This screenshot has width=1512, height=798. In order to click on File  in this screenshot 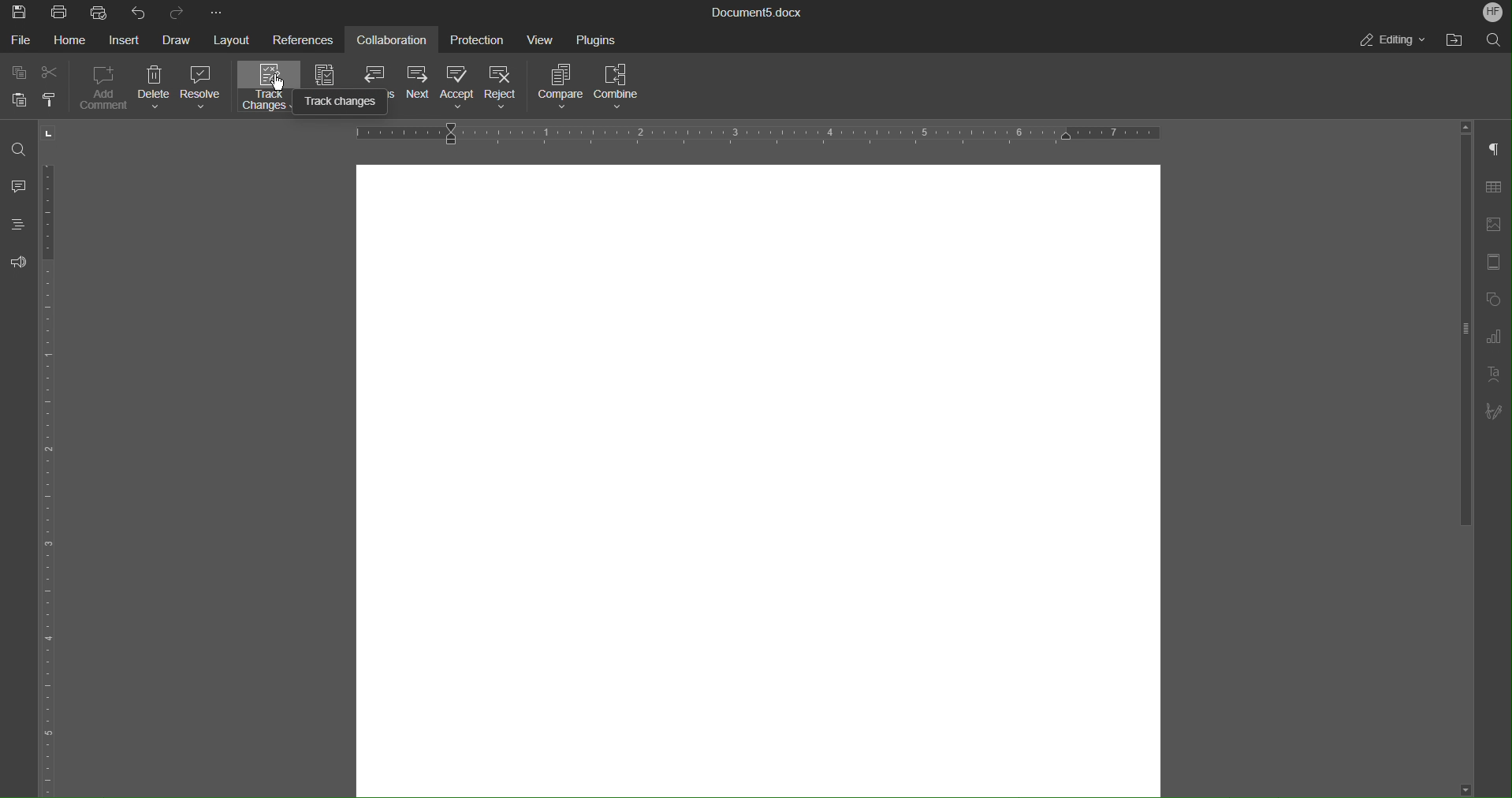, I will do `click(20, 39)`.